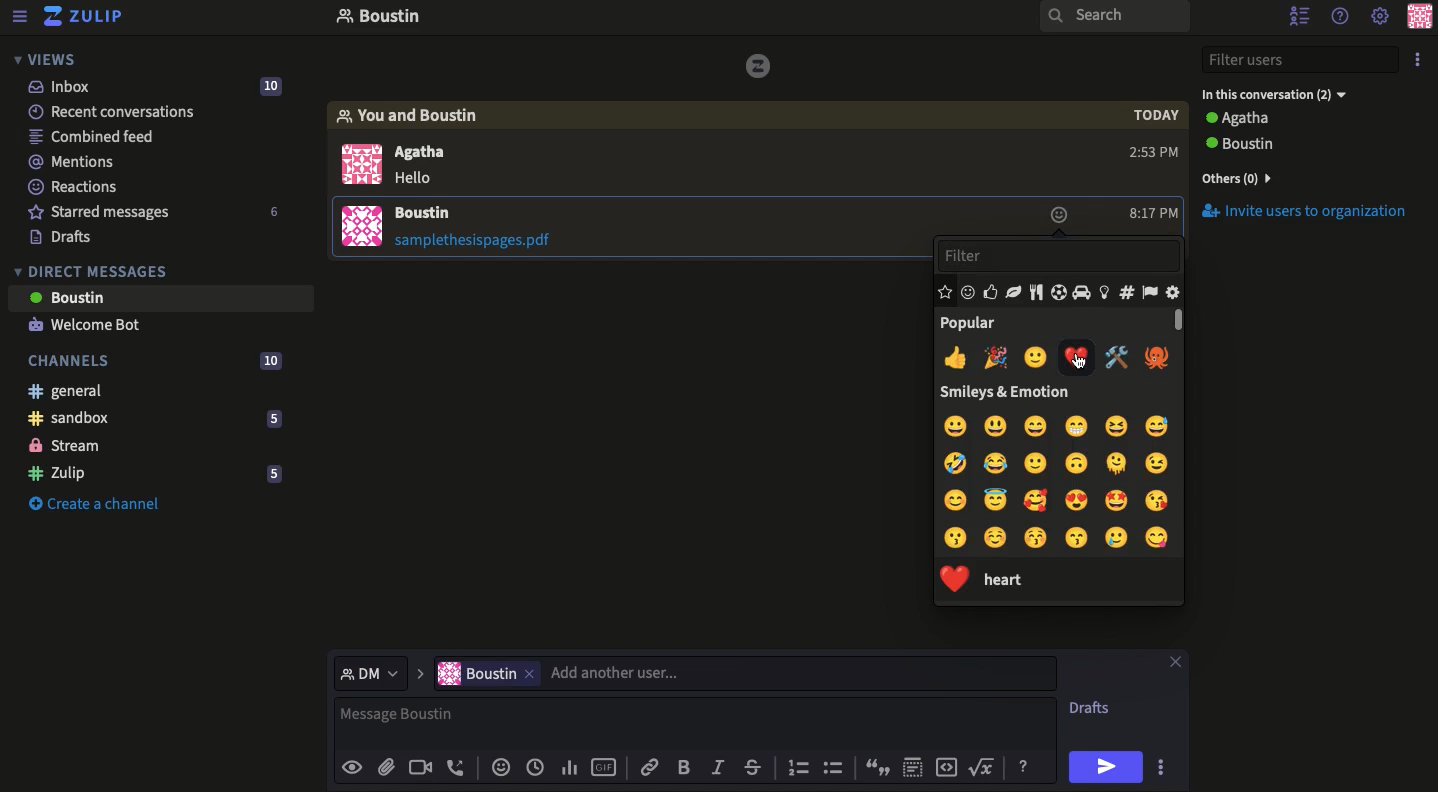 The width and height of the screenshot is (1438, 792). Describe the element at coordinates (1156, 427) in the screenshot. I see `sweat smile` at that location.